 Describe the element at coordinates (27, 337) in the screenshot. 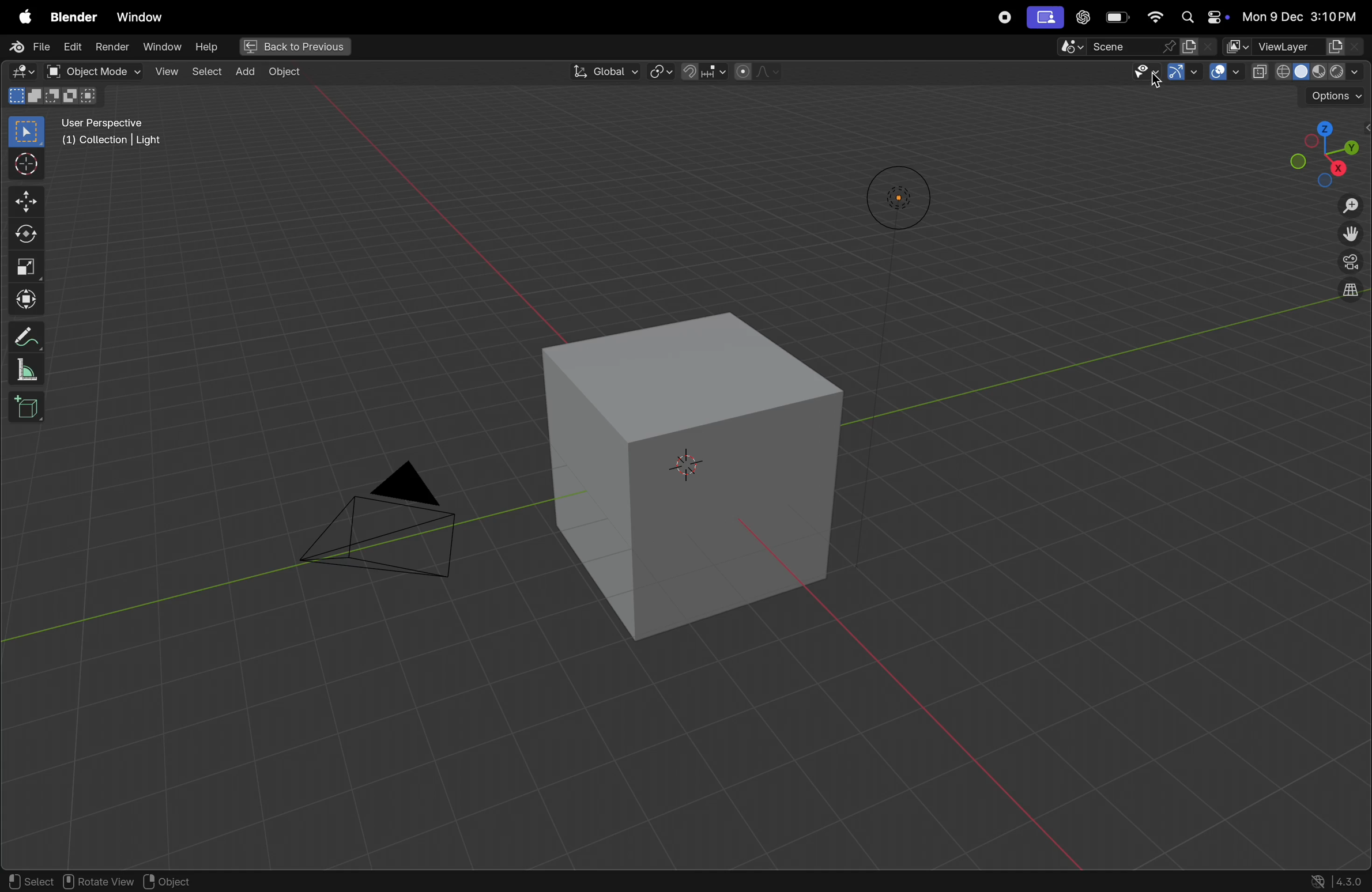

I see `annotate` at that location.